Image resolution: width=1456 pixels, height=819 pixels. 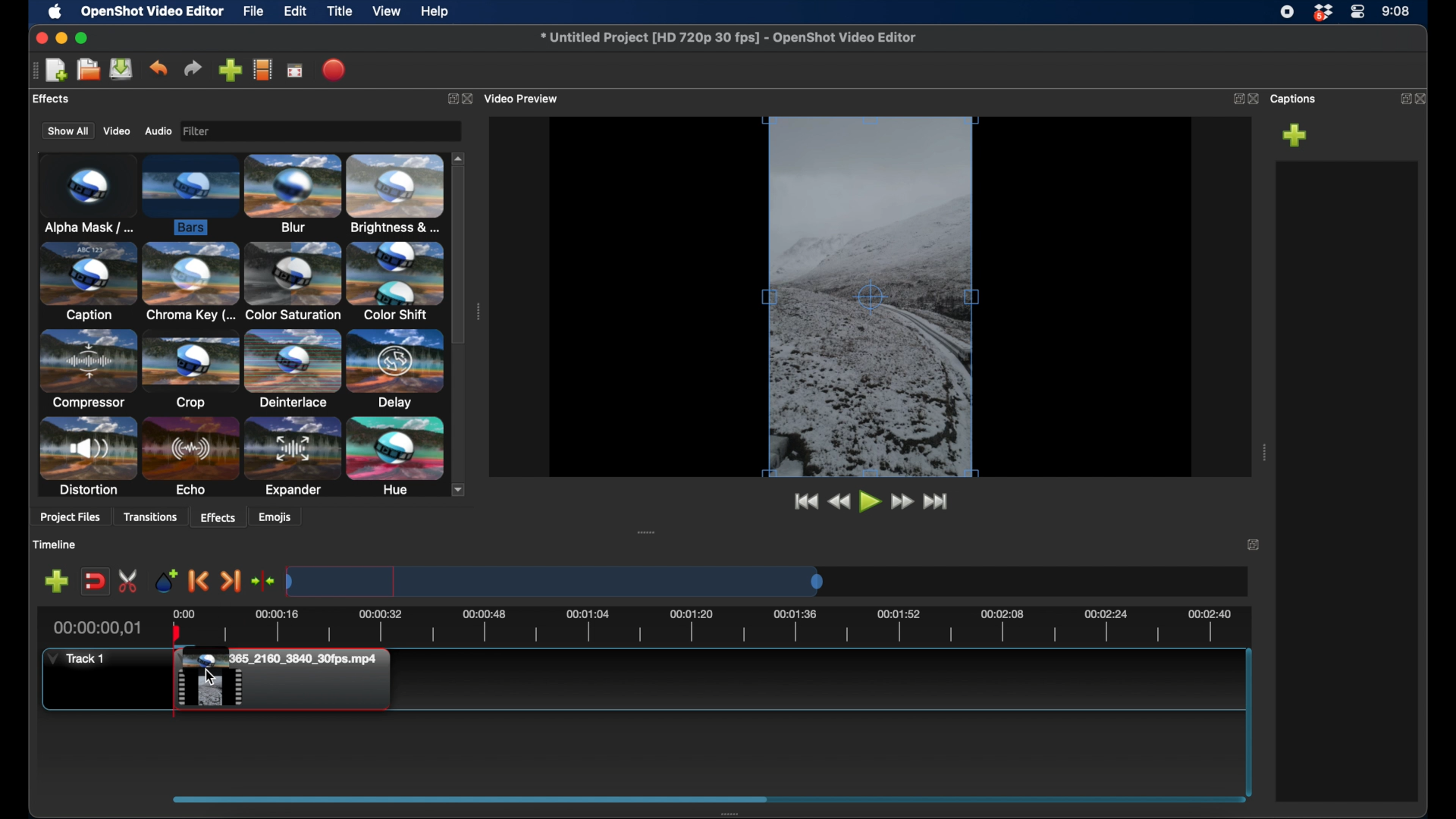 I want to click on previous marker, so click(x=199, y=582).